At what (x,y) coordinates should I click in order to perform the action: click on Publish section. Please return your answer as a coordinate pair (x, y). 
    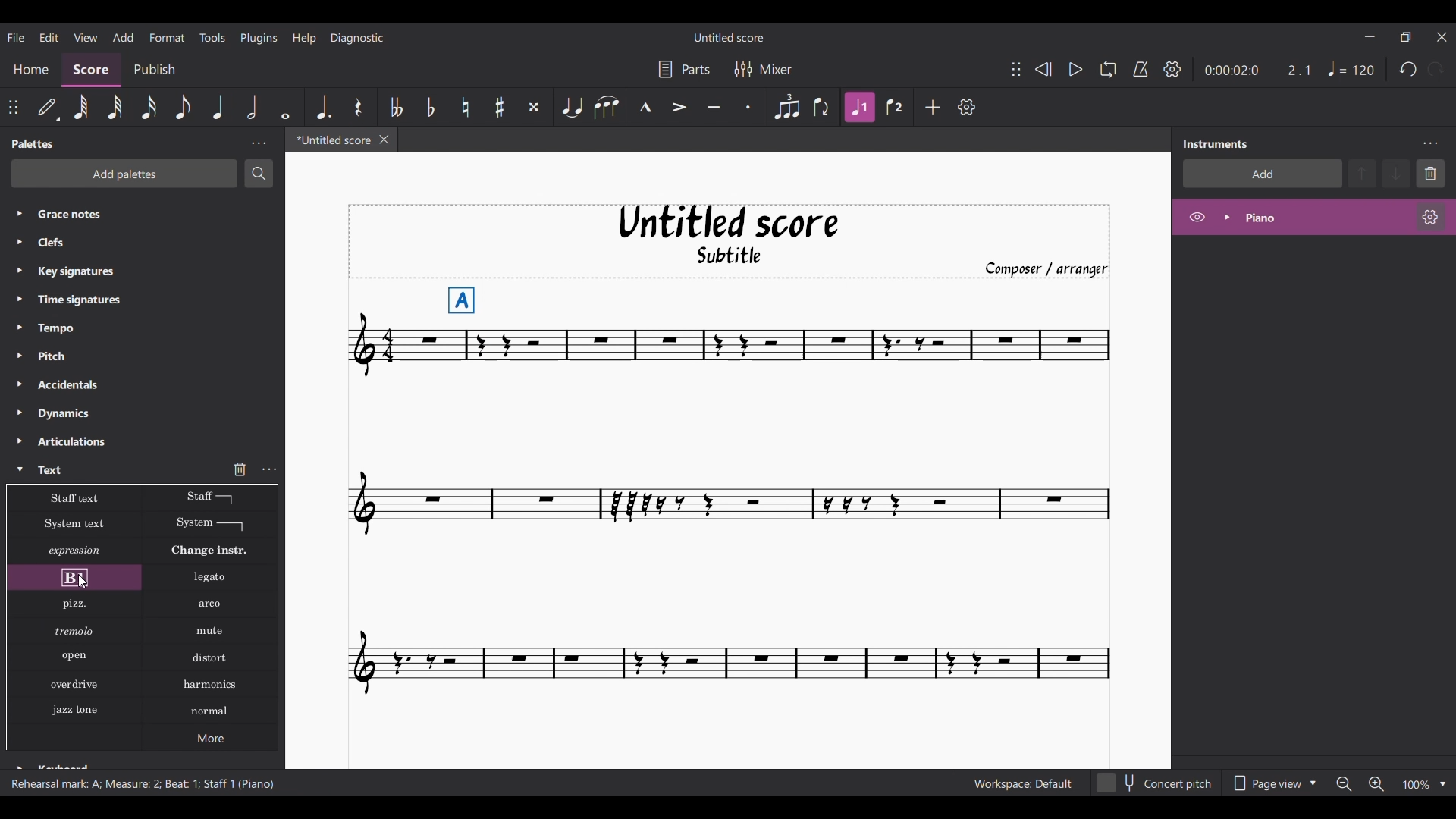
    Looking at the image, I should click on (154, 71).